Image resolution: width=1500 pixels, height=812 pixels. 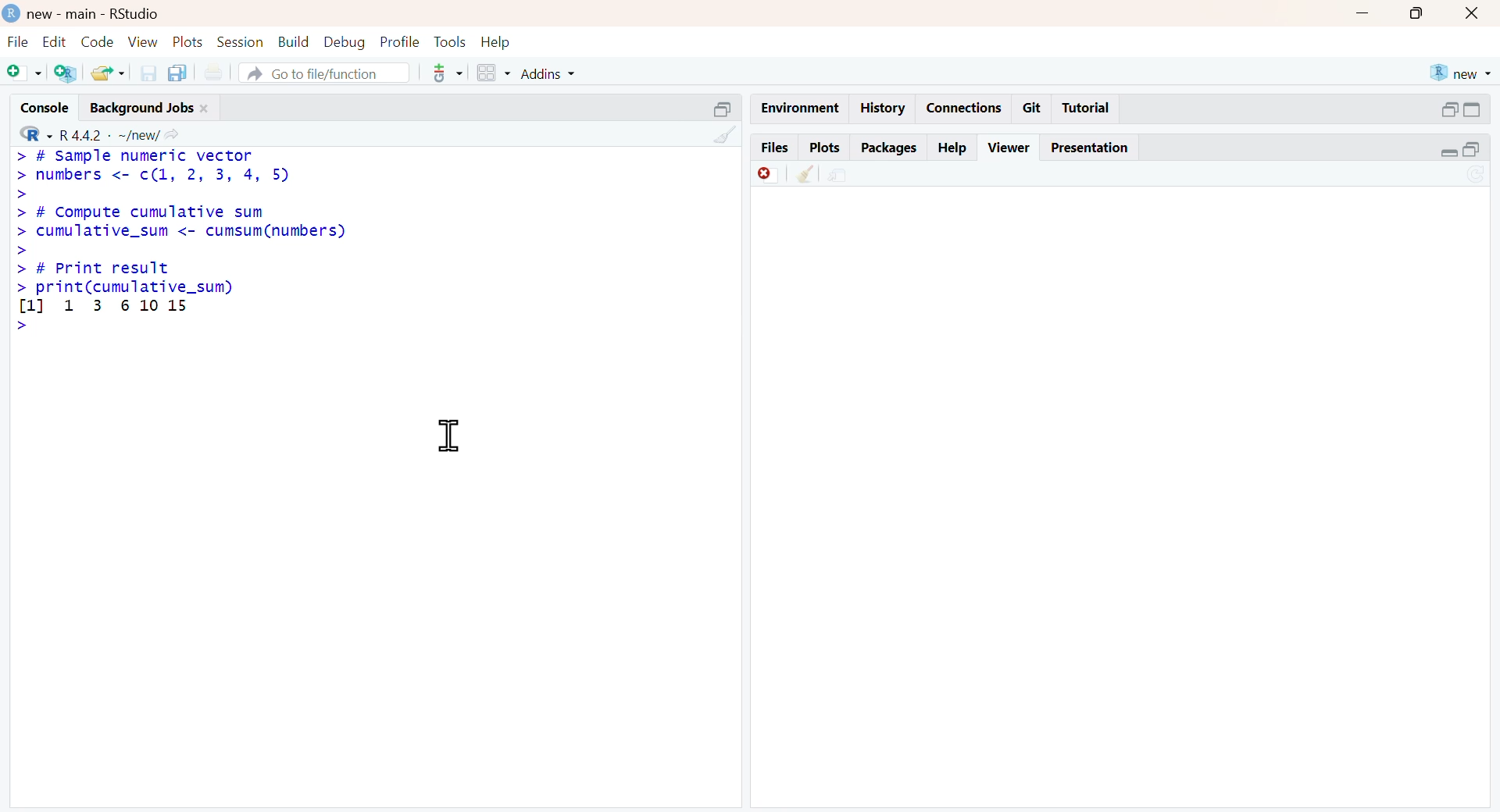 I want to click on Share icon, so click(x=172, y=133).